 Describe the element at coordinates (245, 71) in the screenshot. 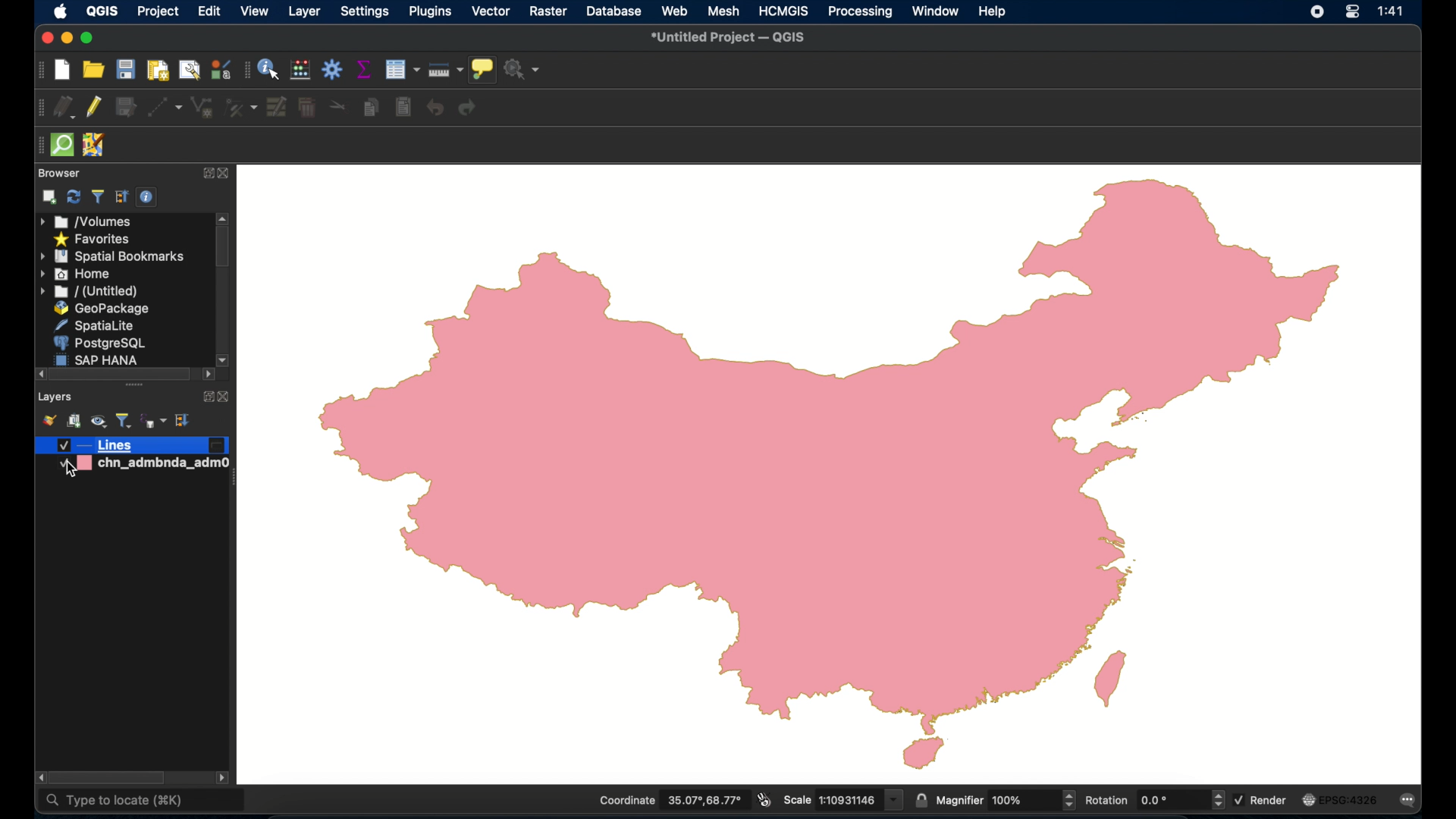

I see `attributes toolbar` at that location.